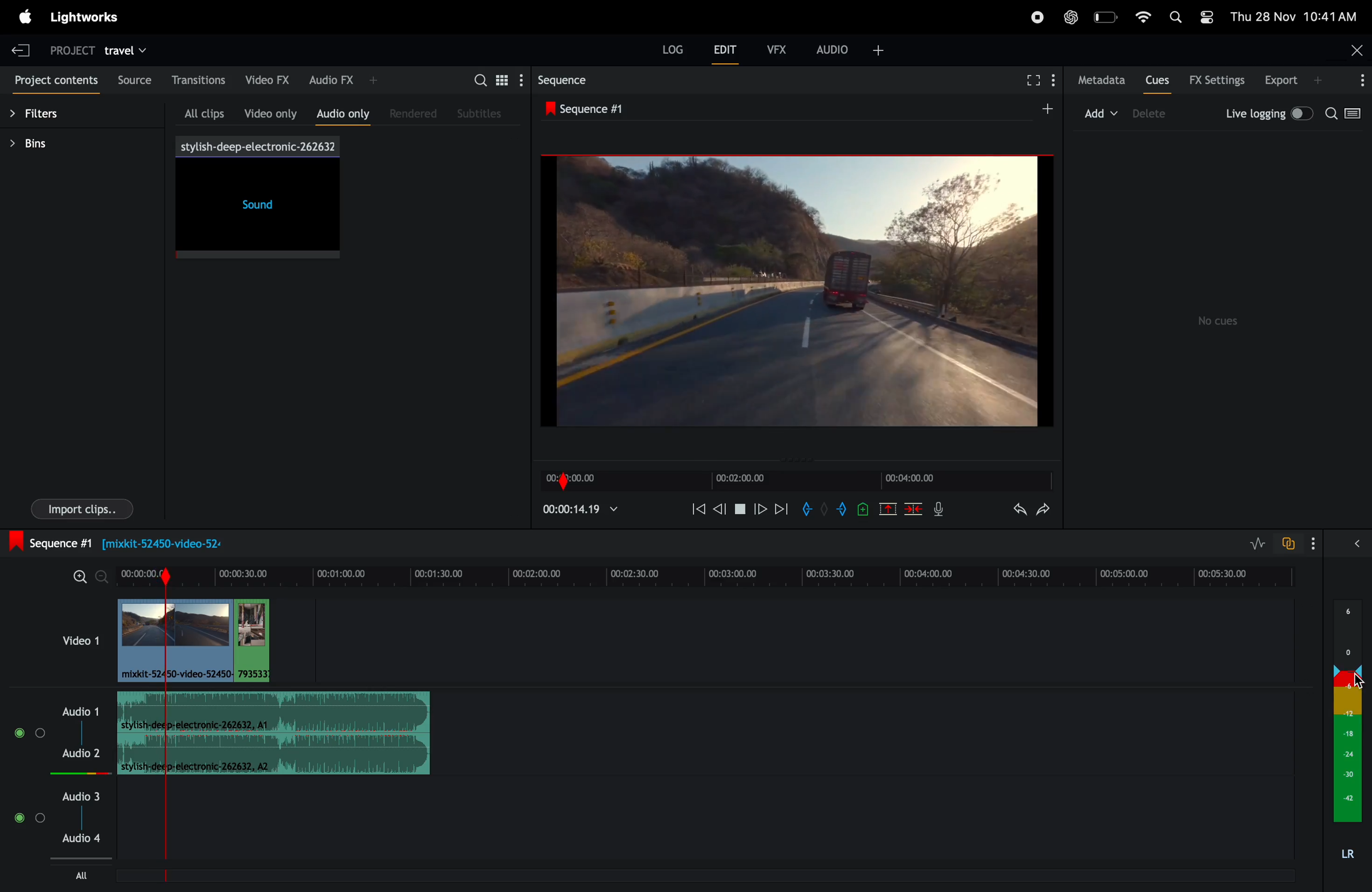 The width and height of the screenshot is (1372, 892). I want to click on sequence 1: Information, so click(531, 542).